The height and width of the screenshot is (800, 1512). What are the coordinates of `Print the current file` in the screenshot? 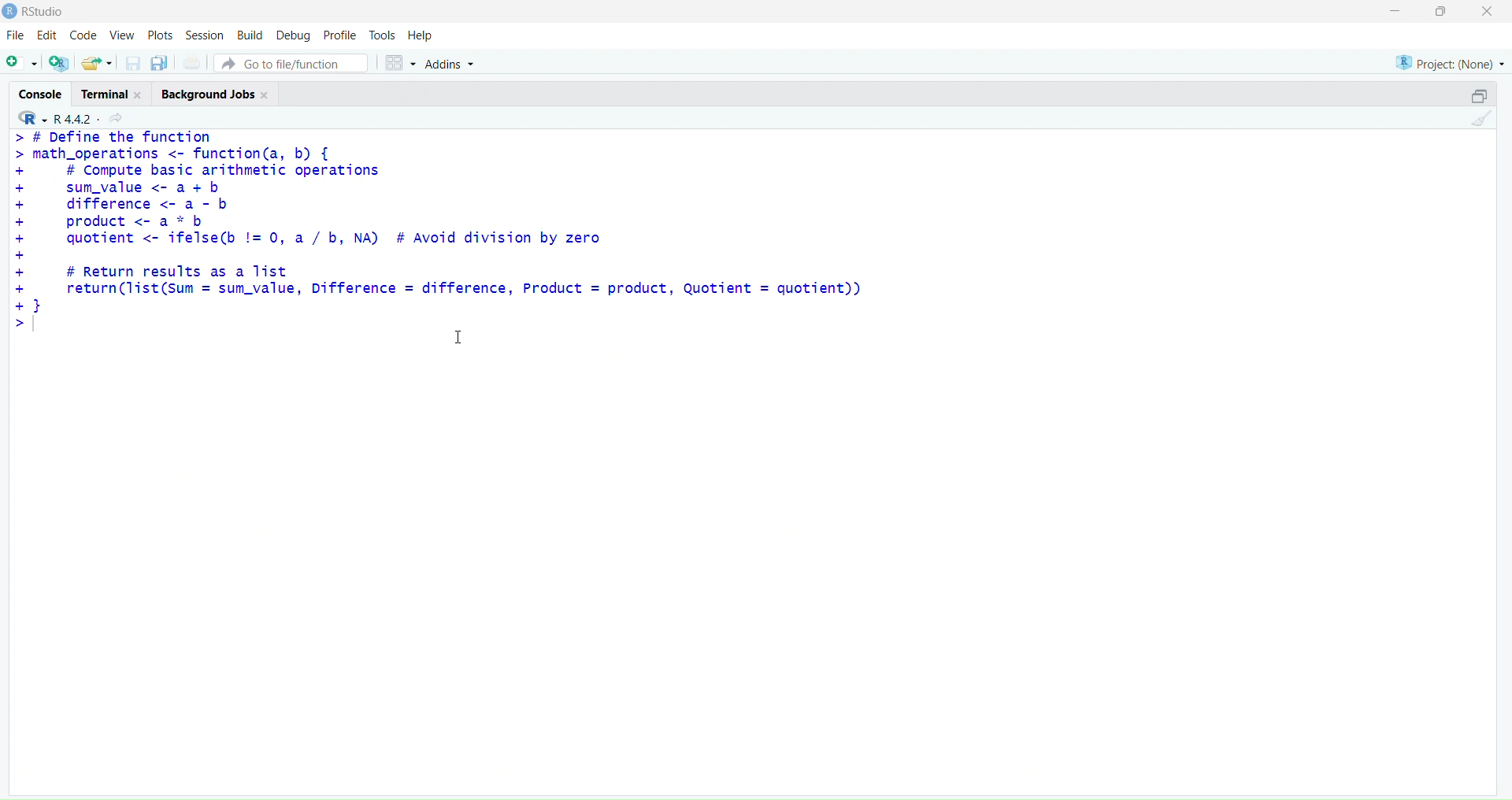 It's located at (191, 61).